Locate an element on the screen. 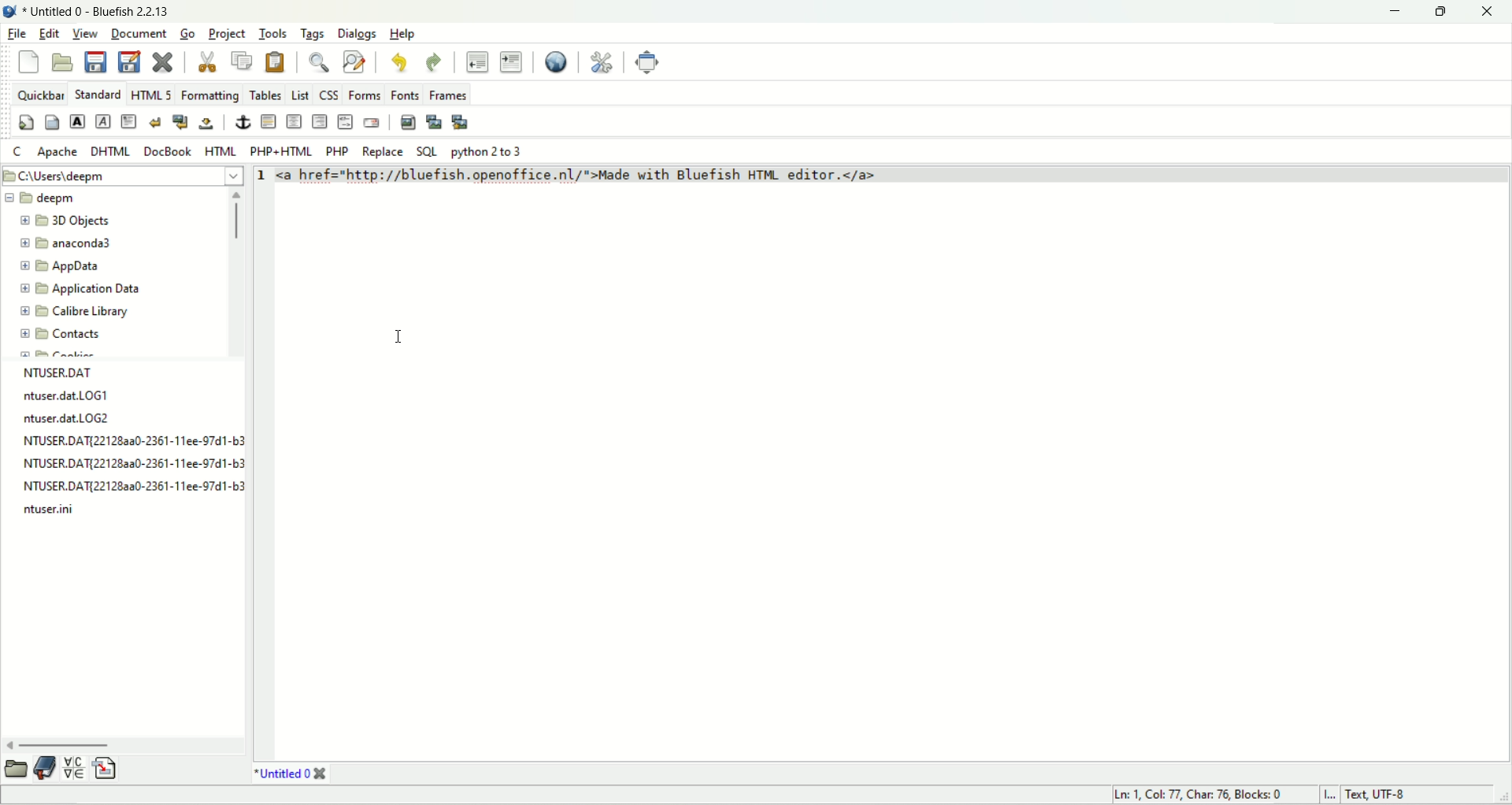 This screenshot has width=1512, height=805. break is located at coordinates (157, 121).